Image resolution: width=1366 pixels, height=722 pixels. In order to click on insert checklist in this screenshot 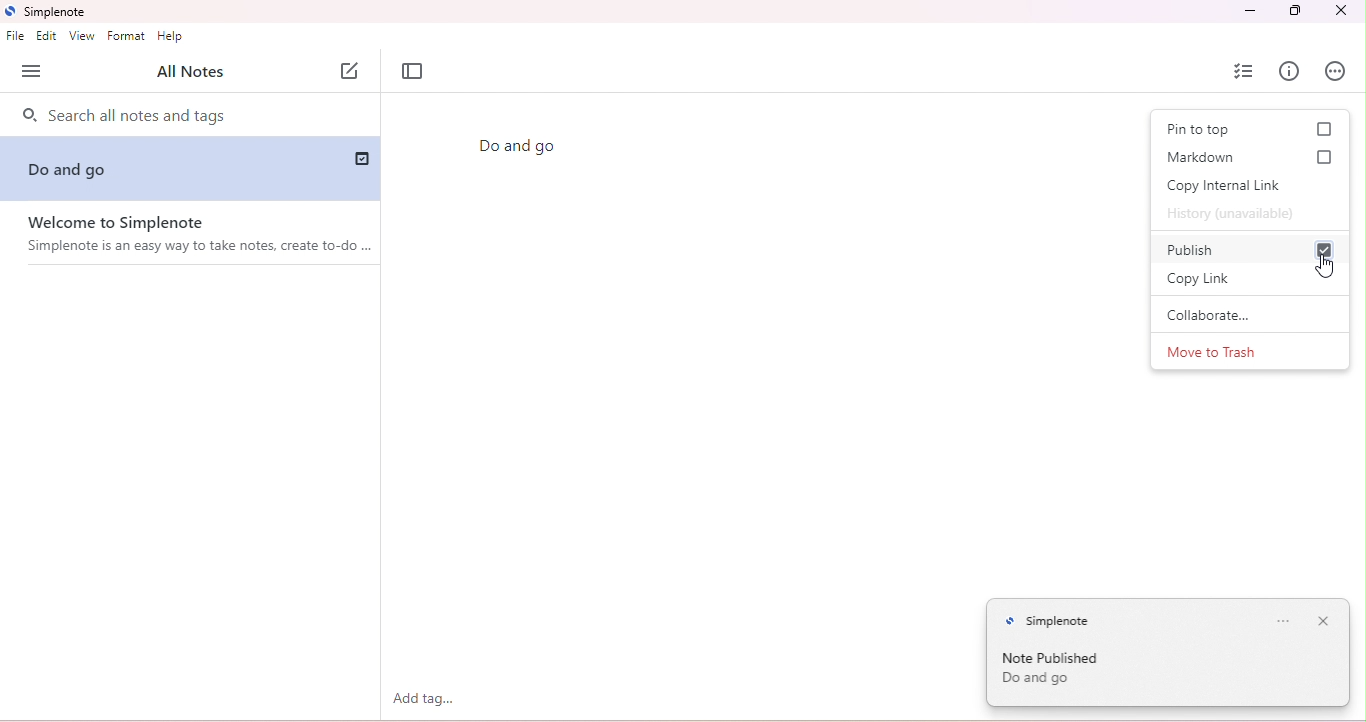, I will do `click(1245, 71)`.